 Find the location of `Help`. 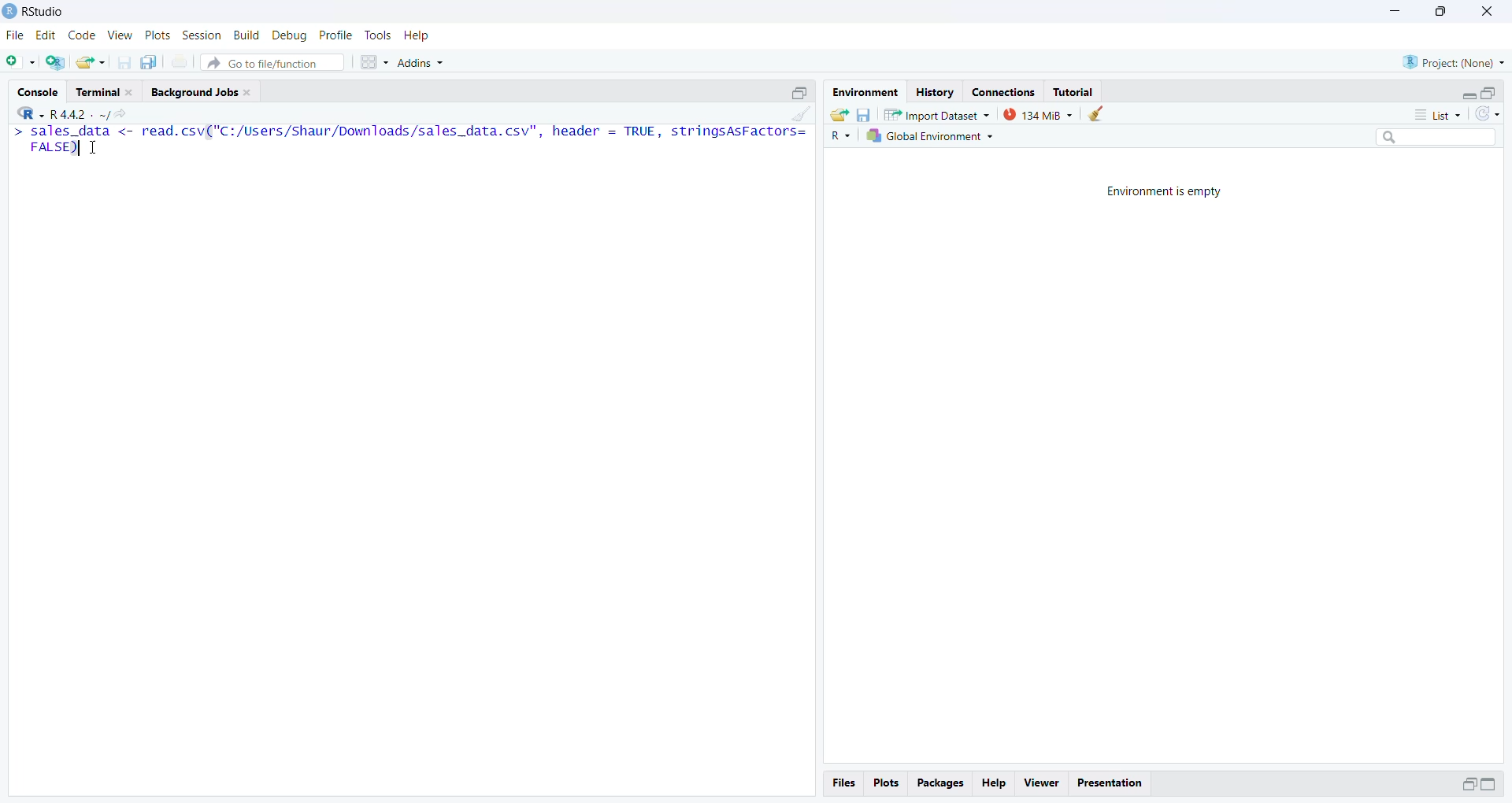

Help is located at coordinates (993, 784).